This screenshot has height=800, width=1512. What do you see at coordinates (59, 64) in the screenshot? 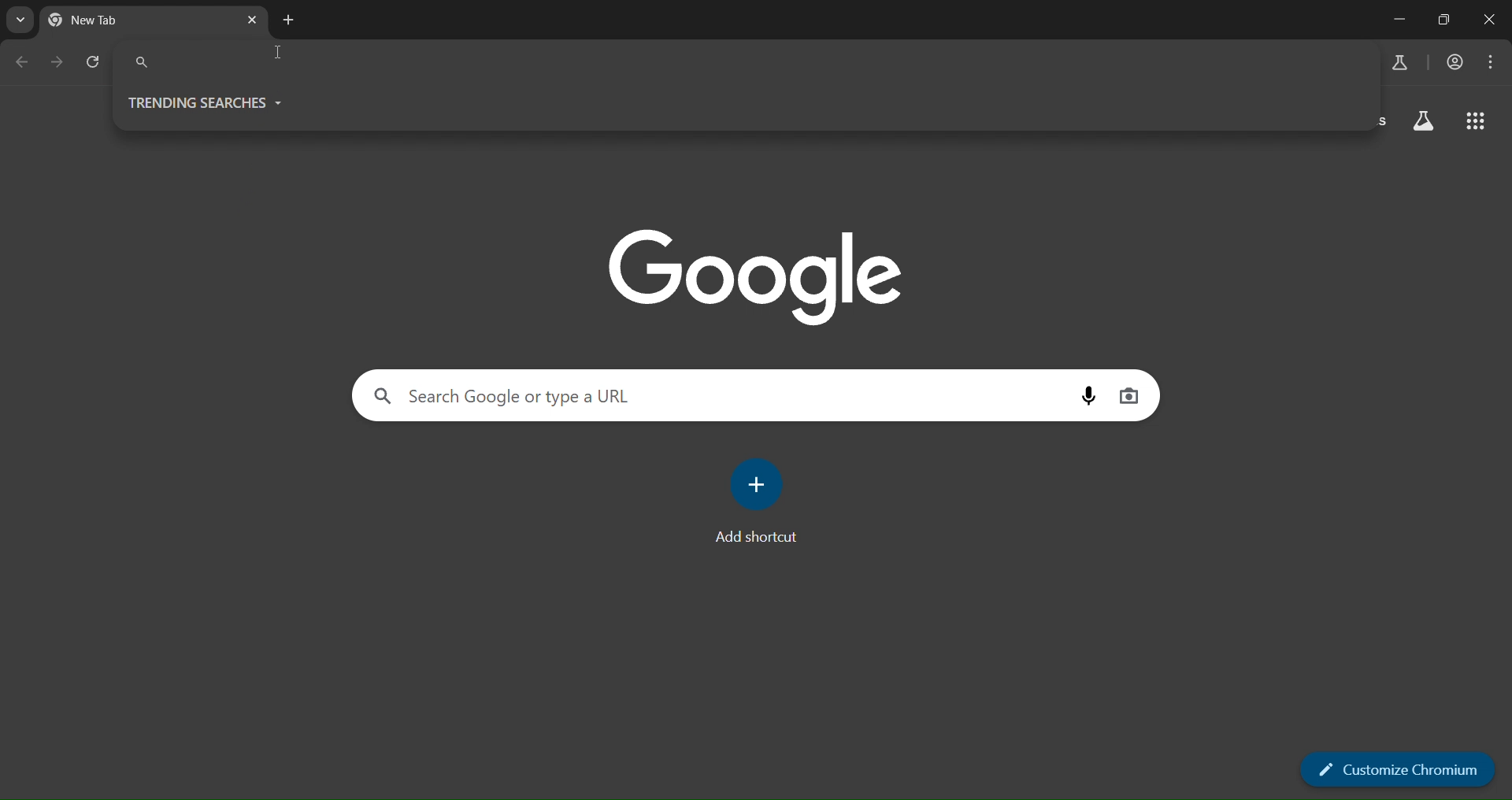
I see `go forward one page` at bounding box center [59, 64].